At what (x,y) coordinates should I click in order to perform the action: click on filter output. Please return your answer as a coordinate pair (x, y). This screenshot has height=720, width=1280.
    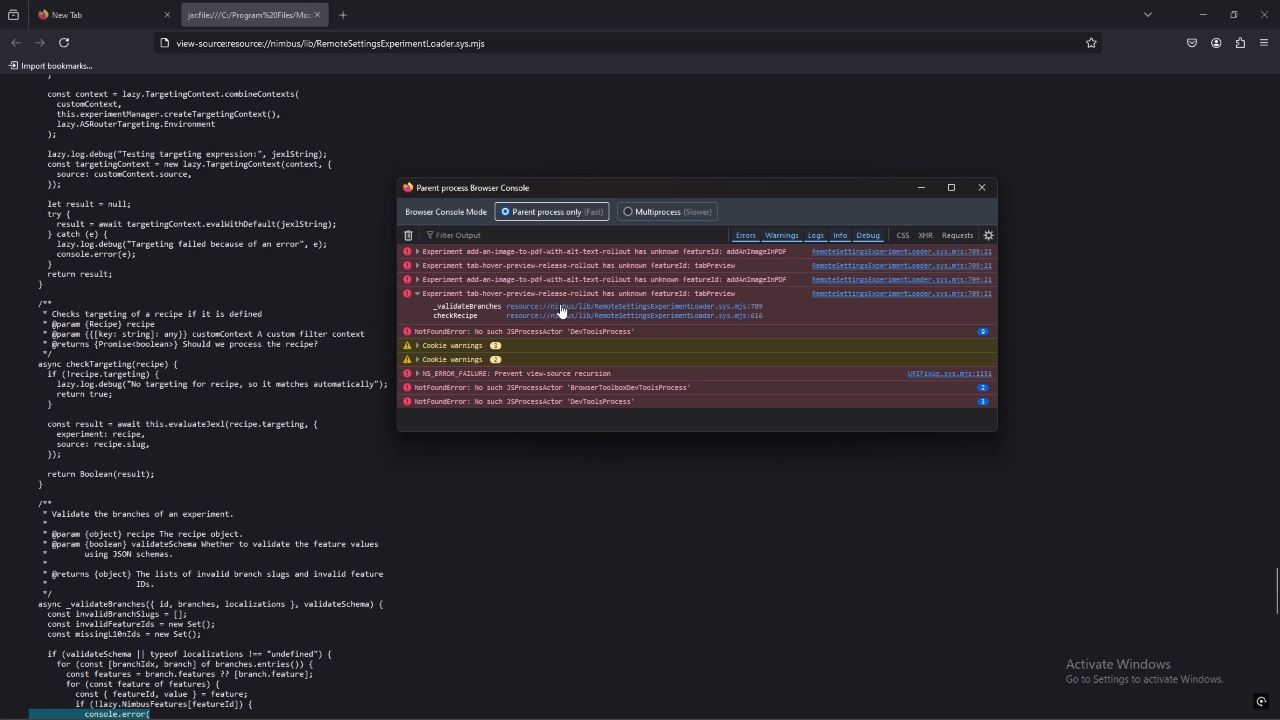
    Looking at the image, I should click on (457, 234).